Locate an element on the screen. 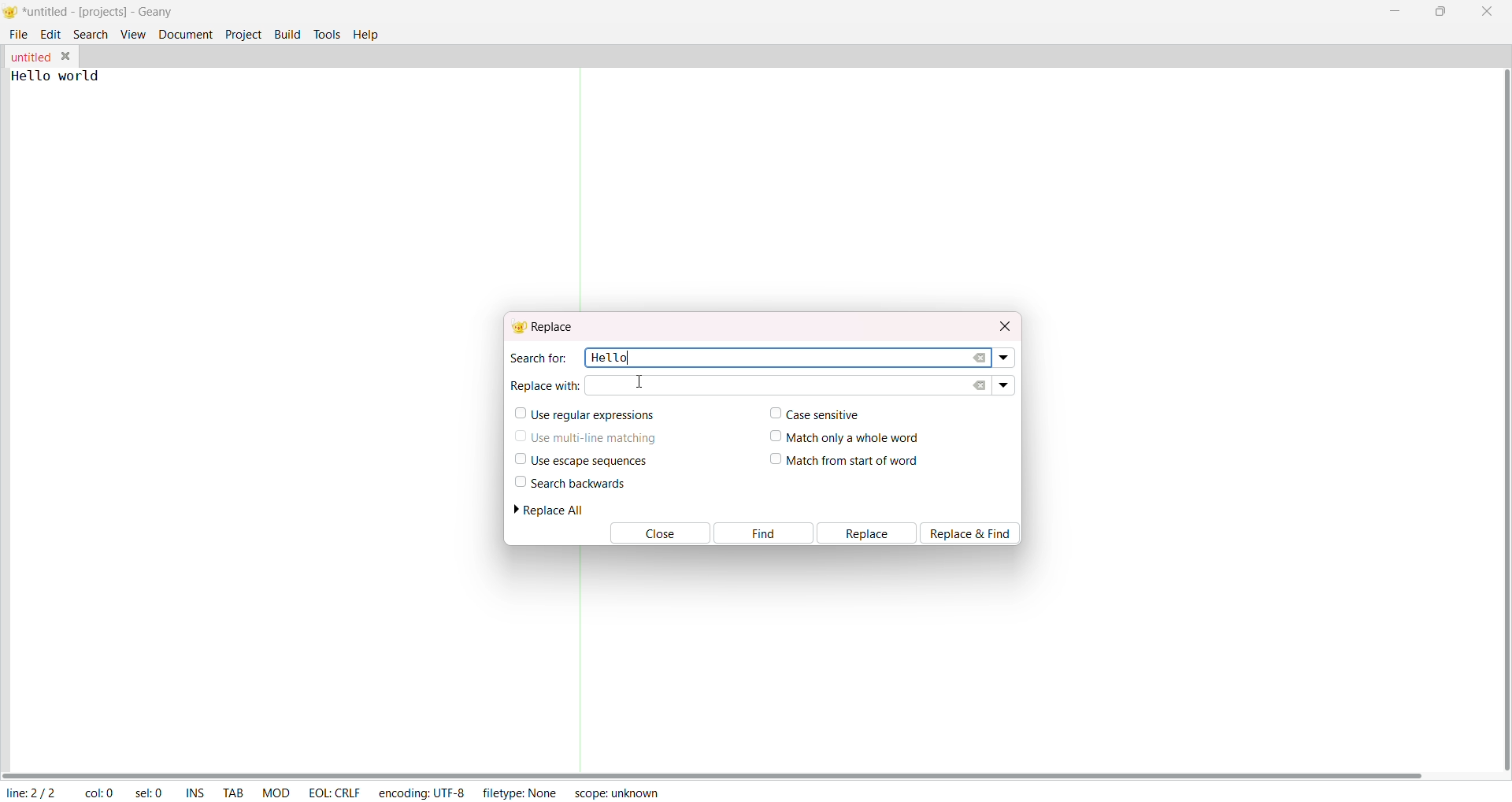 The height and width of the screenshot is (802, 1512). build is located at coordinates (287, 32).